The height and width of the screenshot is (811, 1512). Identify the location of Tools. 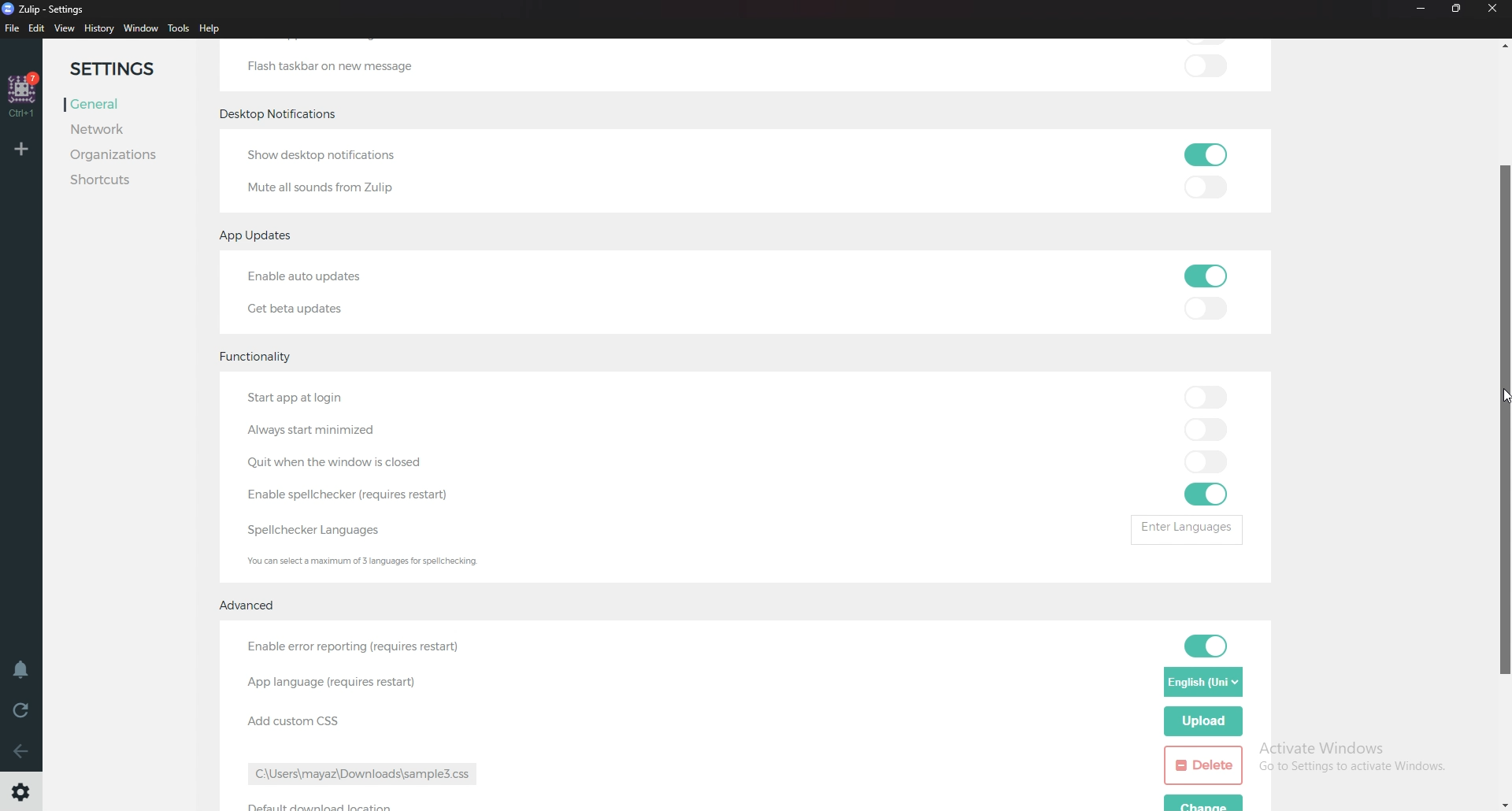
(179, 28).